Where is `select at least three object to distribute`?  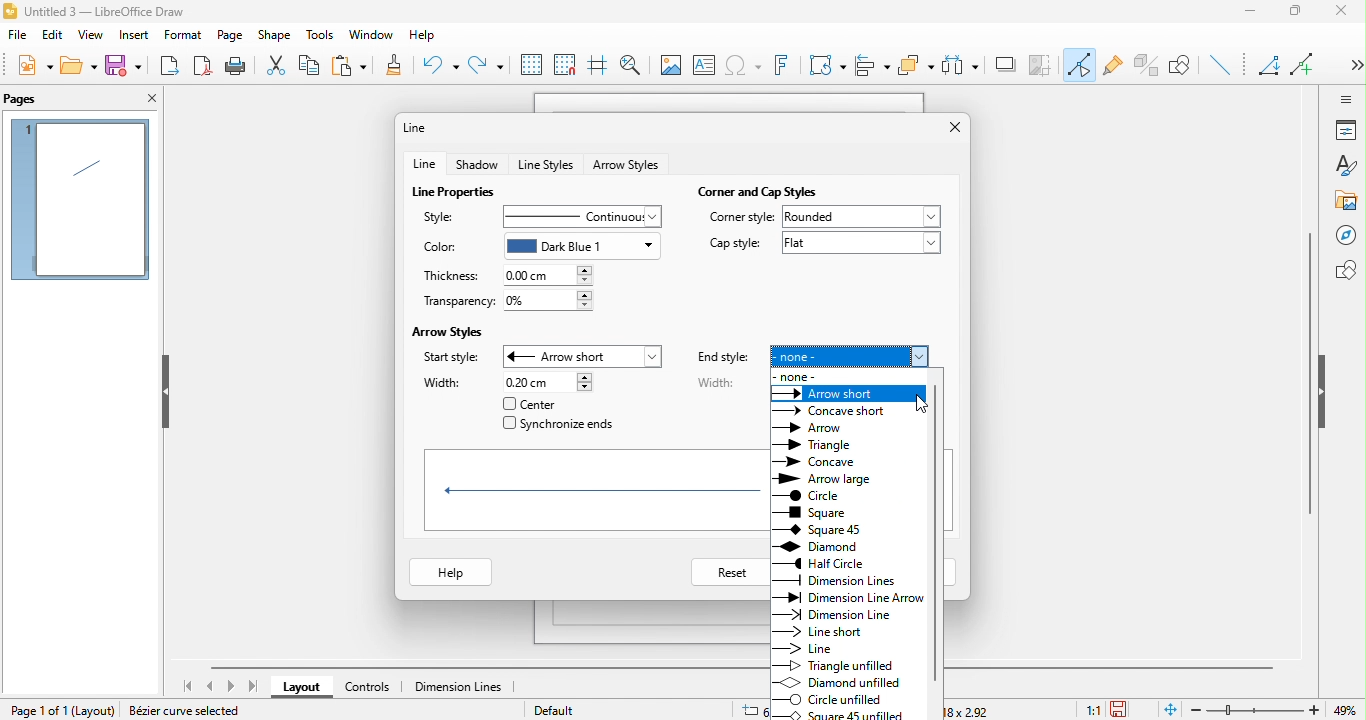 select at least three object to distribute is located at coordinates (963, 64).